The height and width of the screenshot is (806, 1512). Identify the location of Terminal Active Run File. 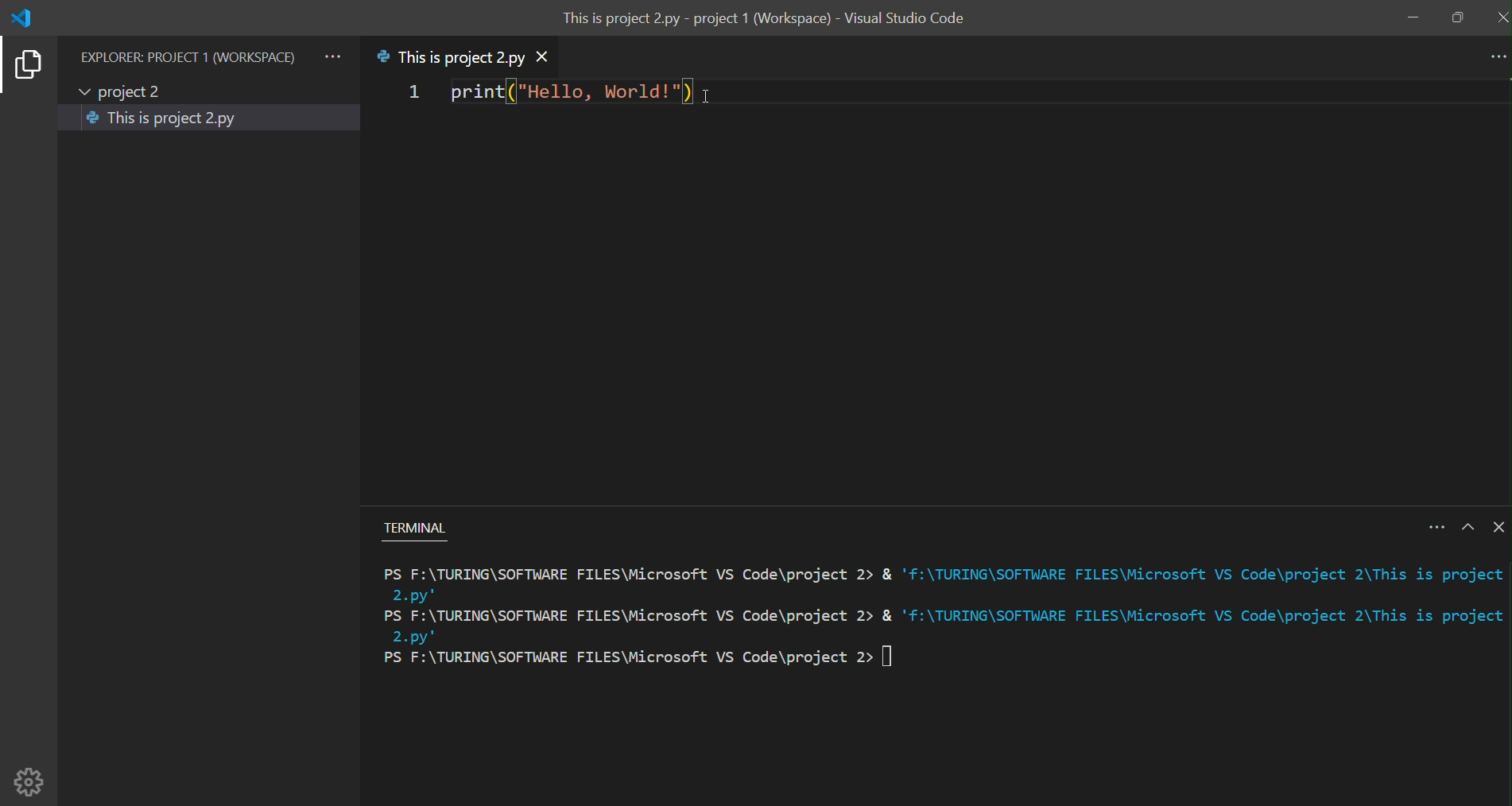
(944, 622).